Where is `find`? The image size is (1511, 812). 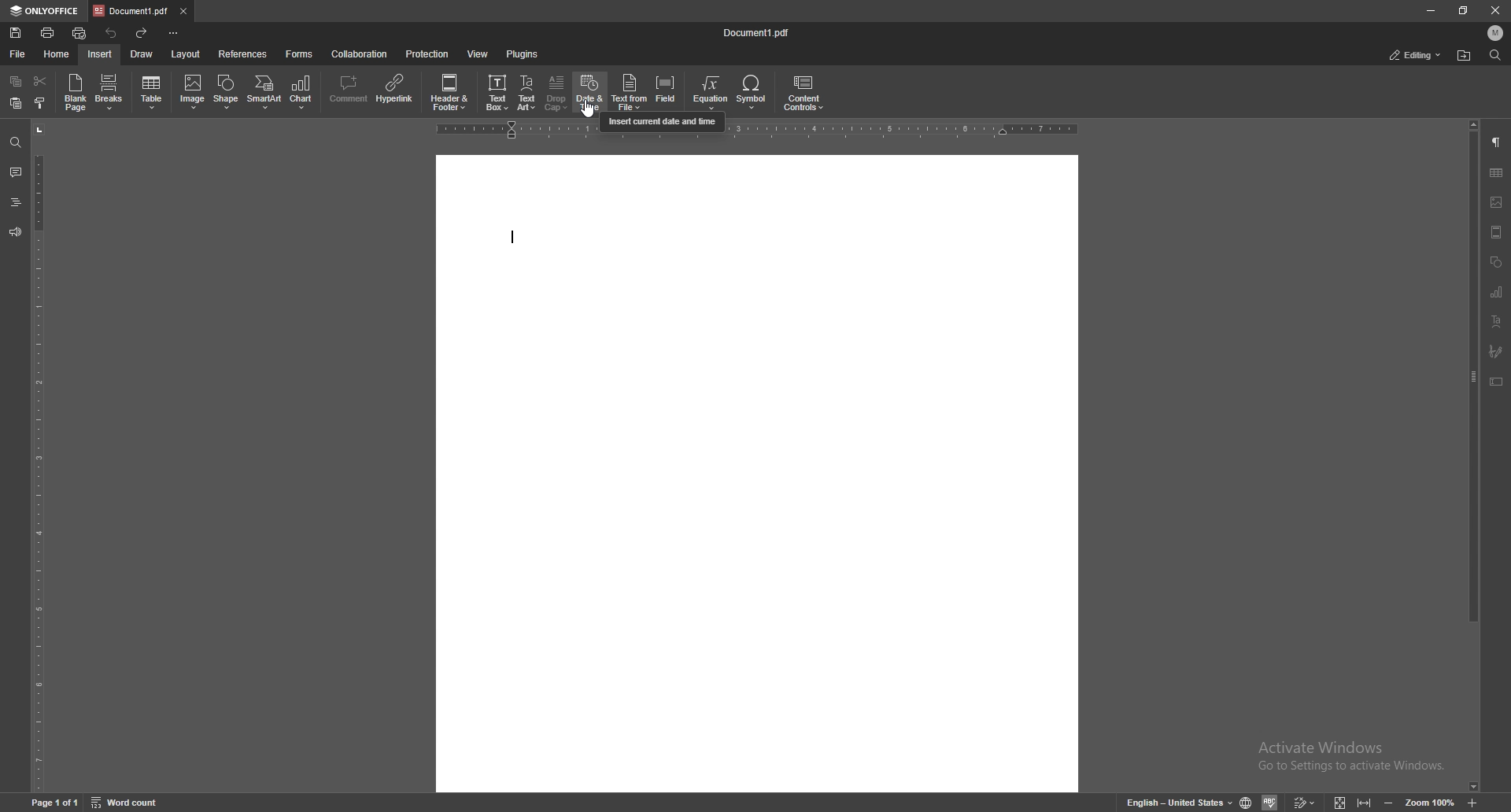 find is located at coordinates (17, 143).